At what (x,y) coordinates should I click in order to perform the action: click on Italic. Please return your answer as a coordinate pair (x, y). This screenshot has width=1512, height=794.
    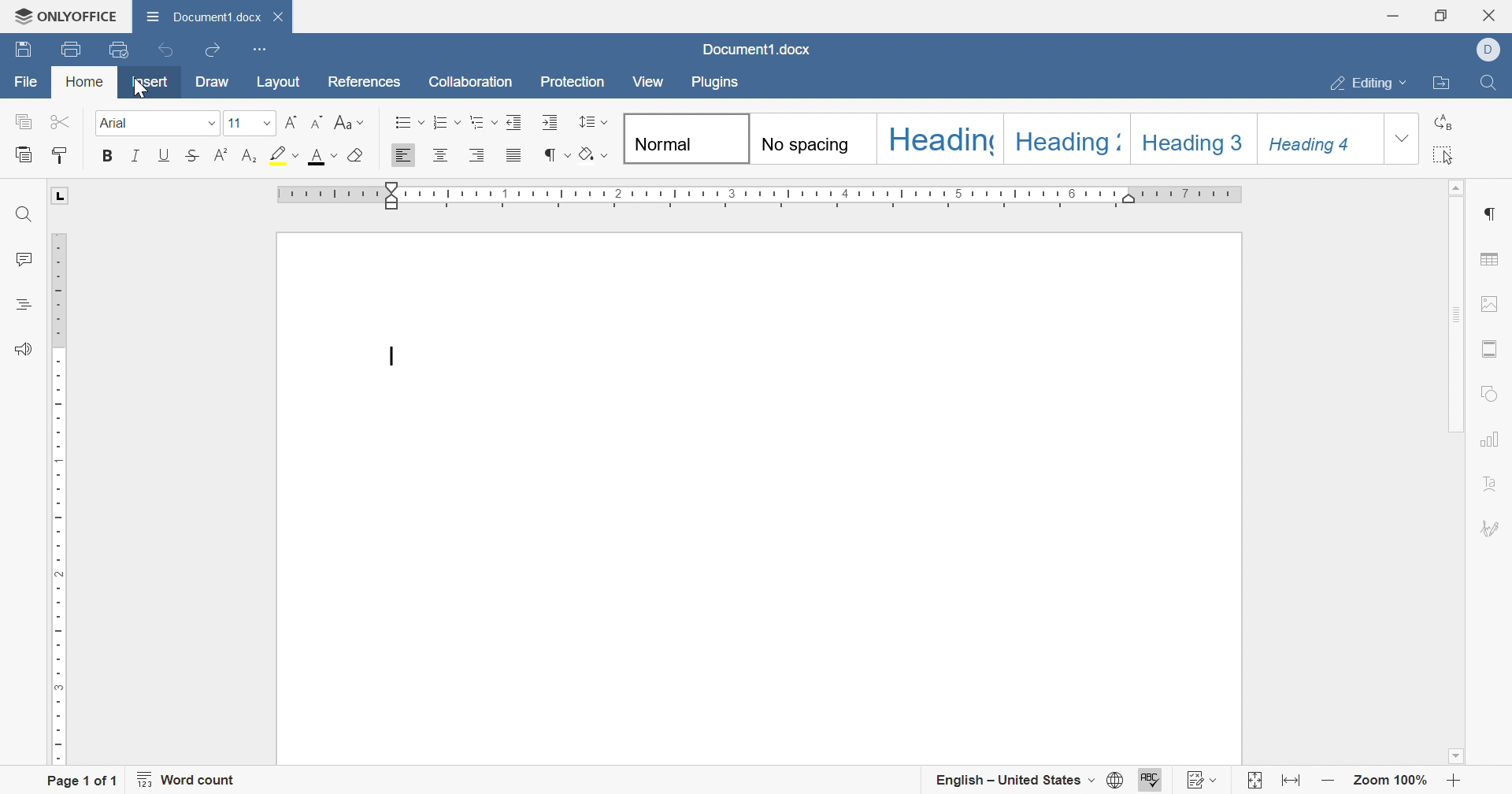
    Looking at the image, I should click on (135, 157).